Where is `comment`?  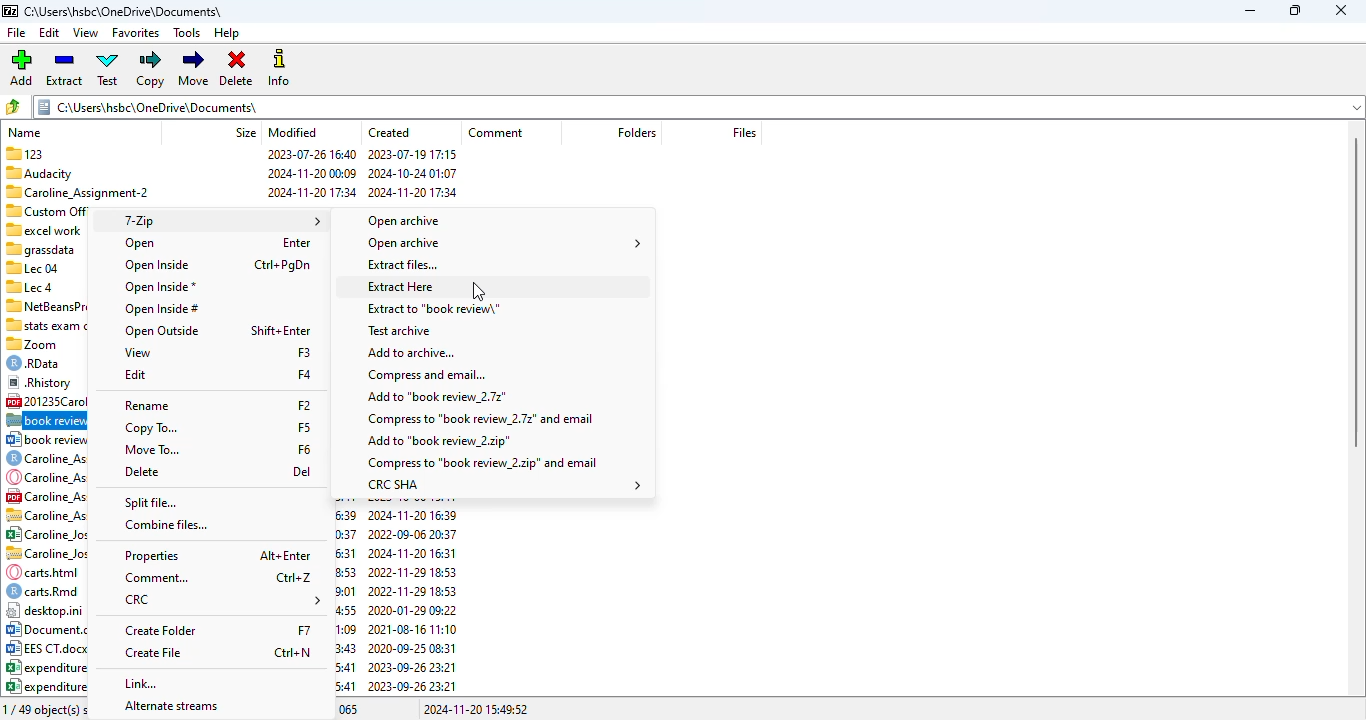 comment is located at coordinates (497, 133).